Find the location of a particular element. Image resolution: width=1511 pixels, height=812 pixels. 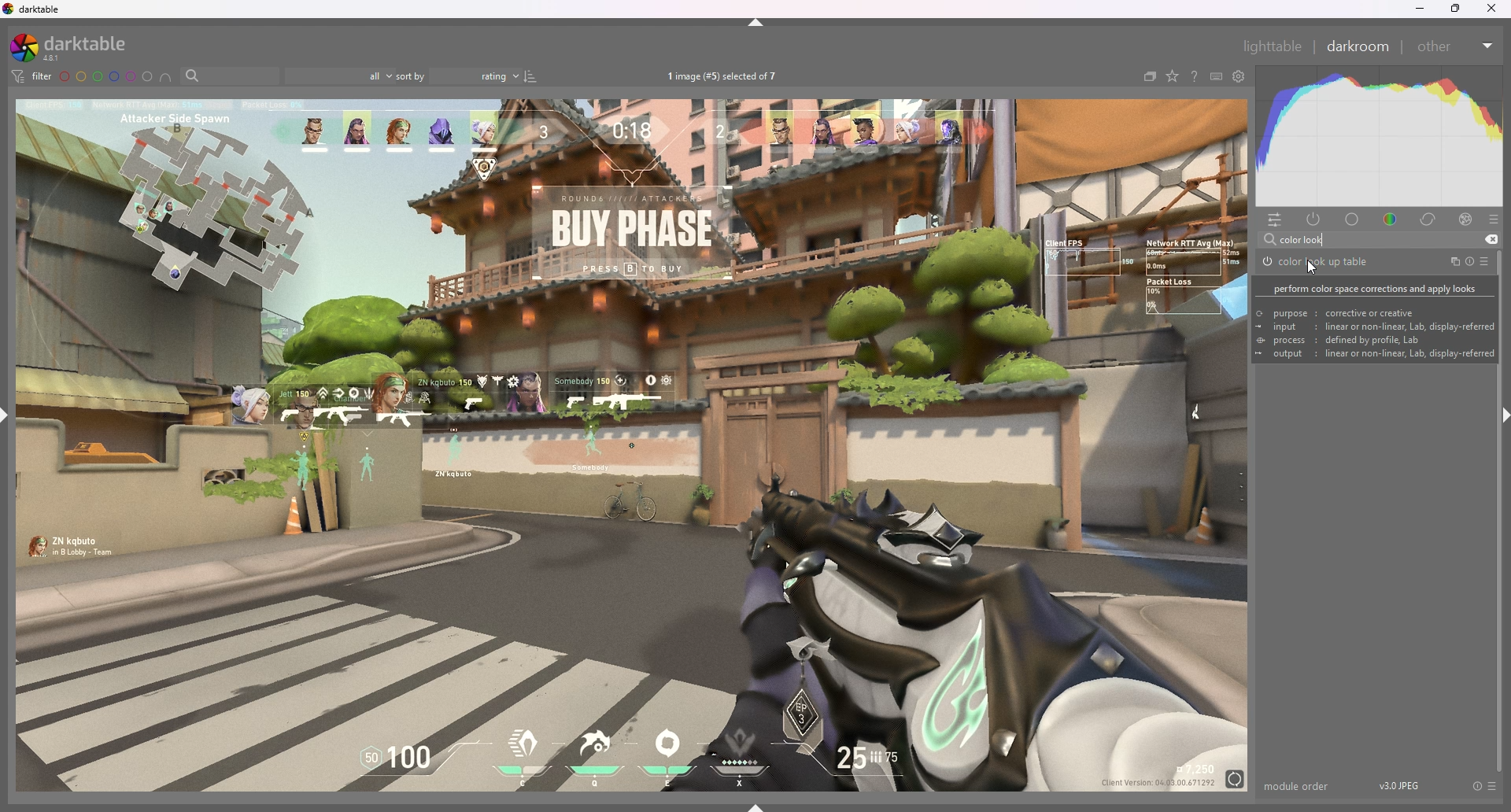

show global preferences is located at coordinates (1239, 76).